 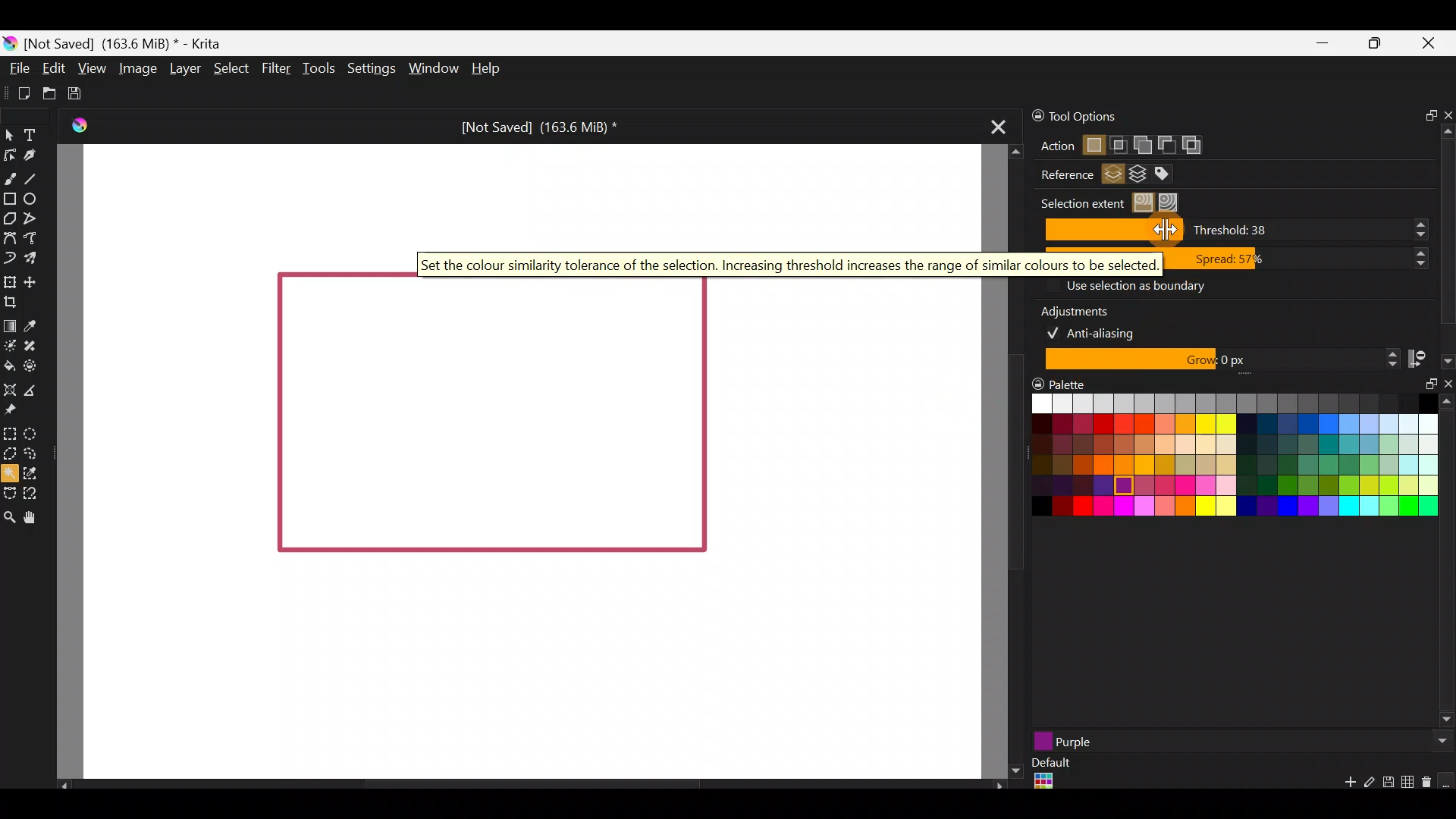 I want to click on Smart patch tool, so click(x=36, y=344).